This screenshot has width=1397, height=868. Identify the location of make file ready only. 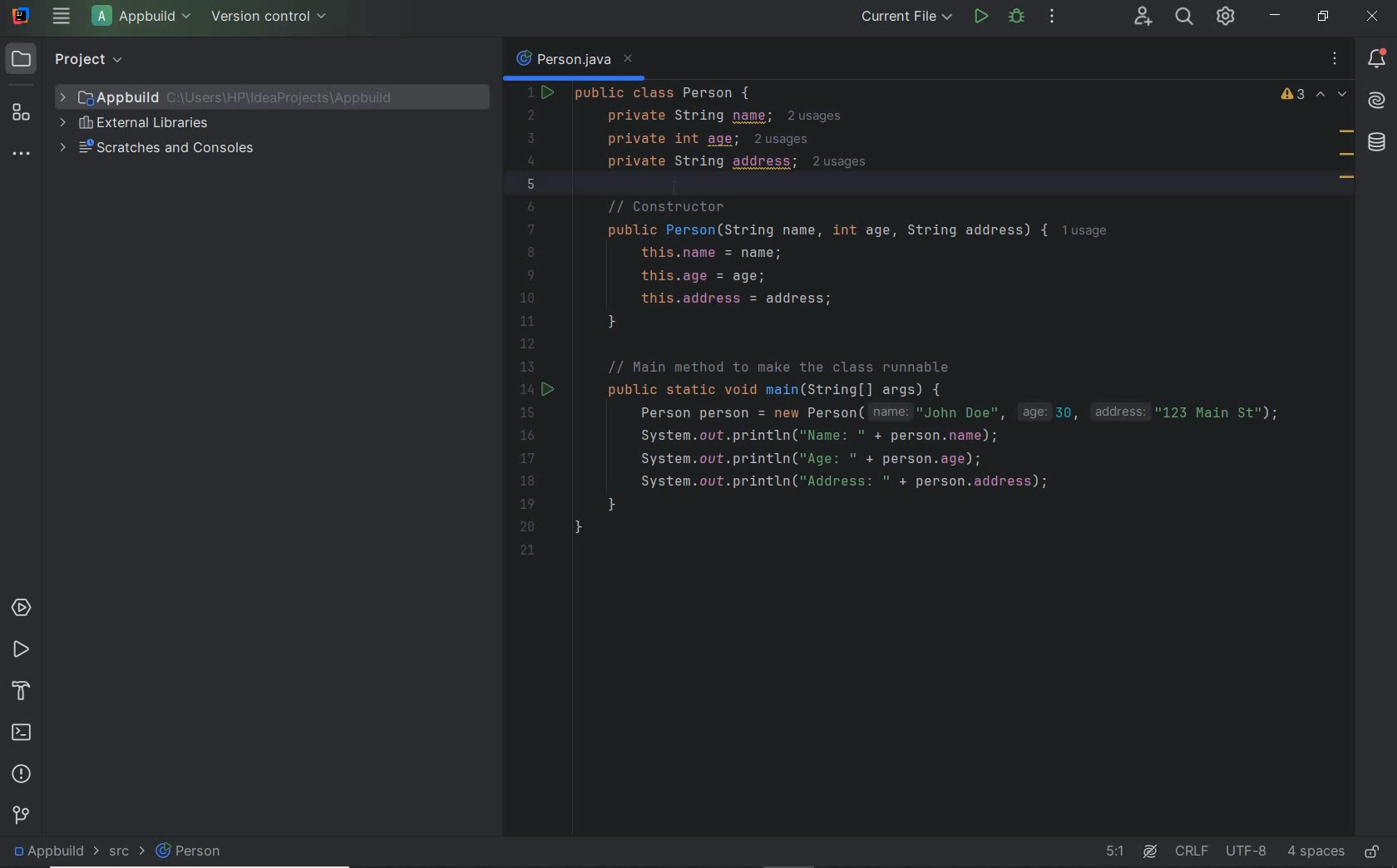
(1375, 854).